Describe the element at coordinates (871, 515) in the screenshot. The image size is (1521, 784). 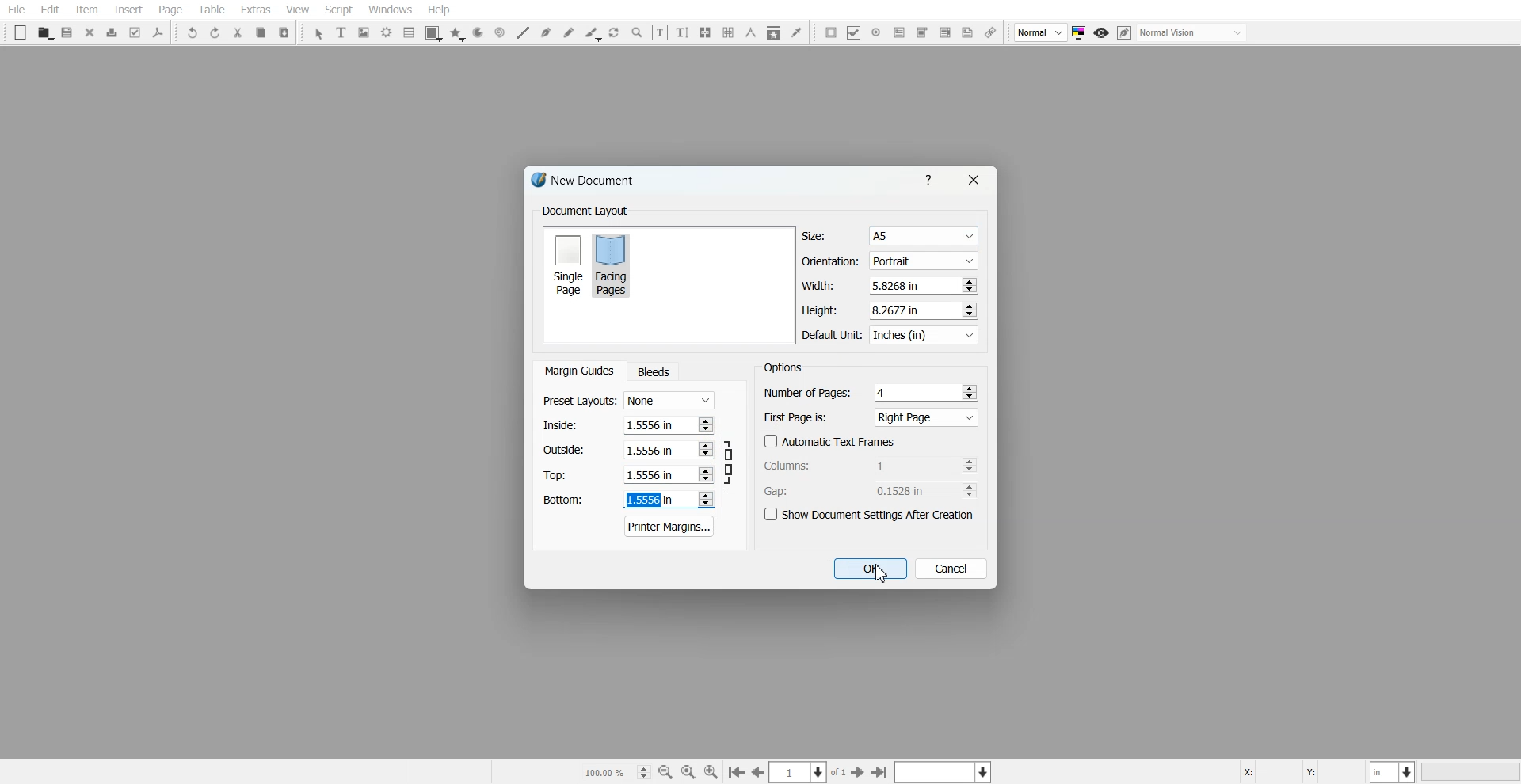
I see `Show Document settings after Creation` at that location.